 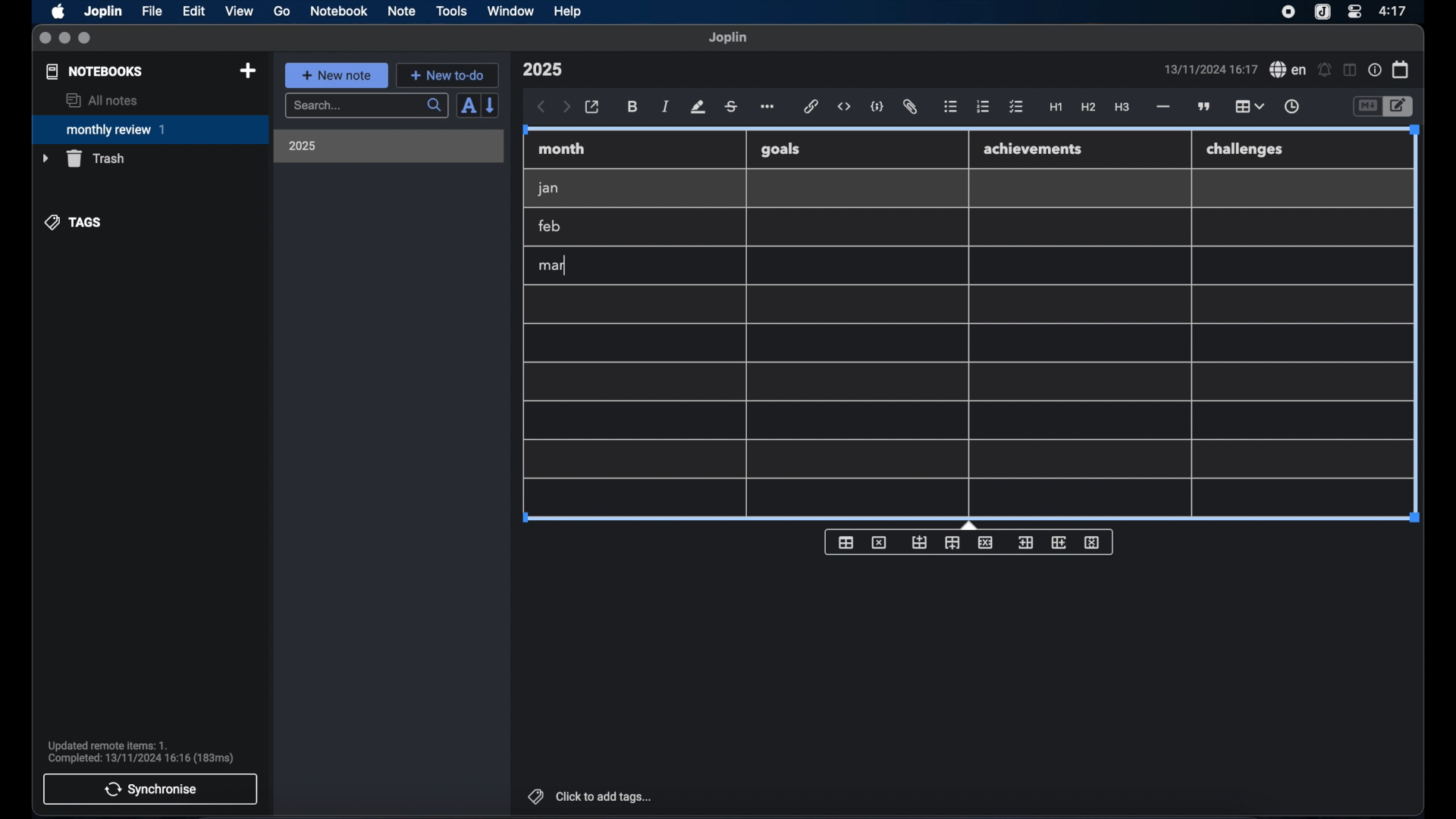 I want to click on insert column after, so click(x=1059, y=542).